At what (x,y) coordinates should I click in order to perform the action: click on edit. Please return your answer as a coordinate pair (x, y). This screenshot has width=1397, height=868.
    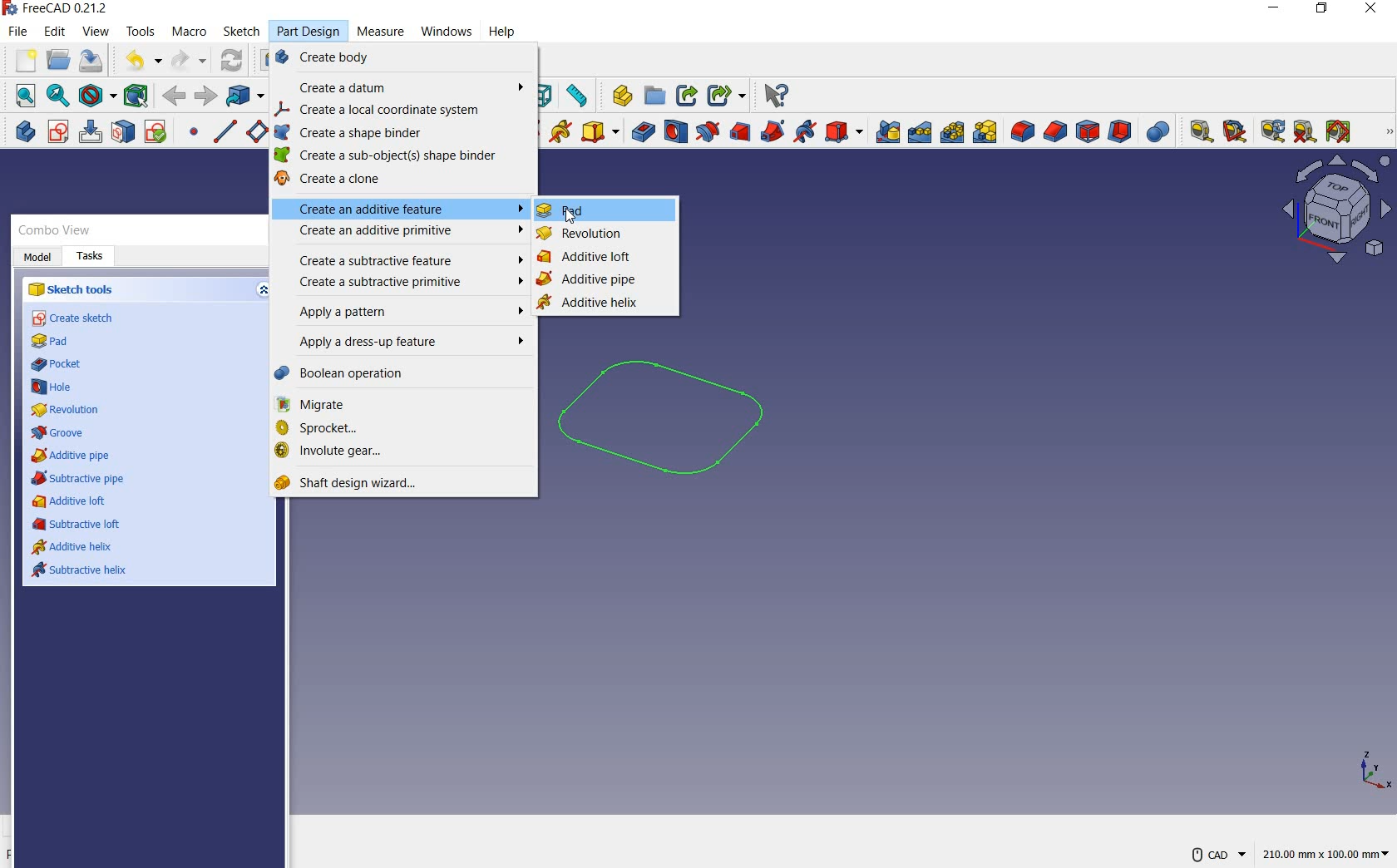
    Looking at the image, I should click on (56, 33).